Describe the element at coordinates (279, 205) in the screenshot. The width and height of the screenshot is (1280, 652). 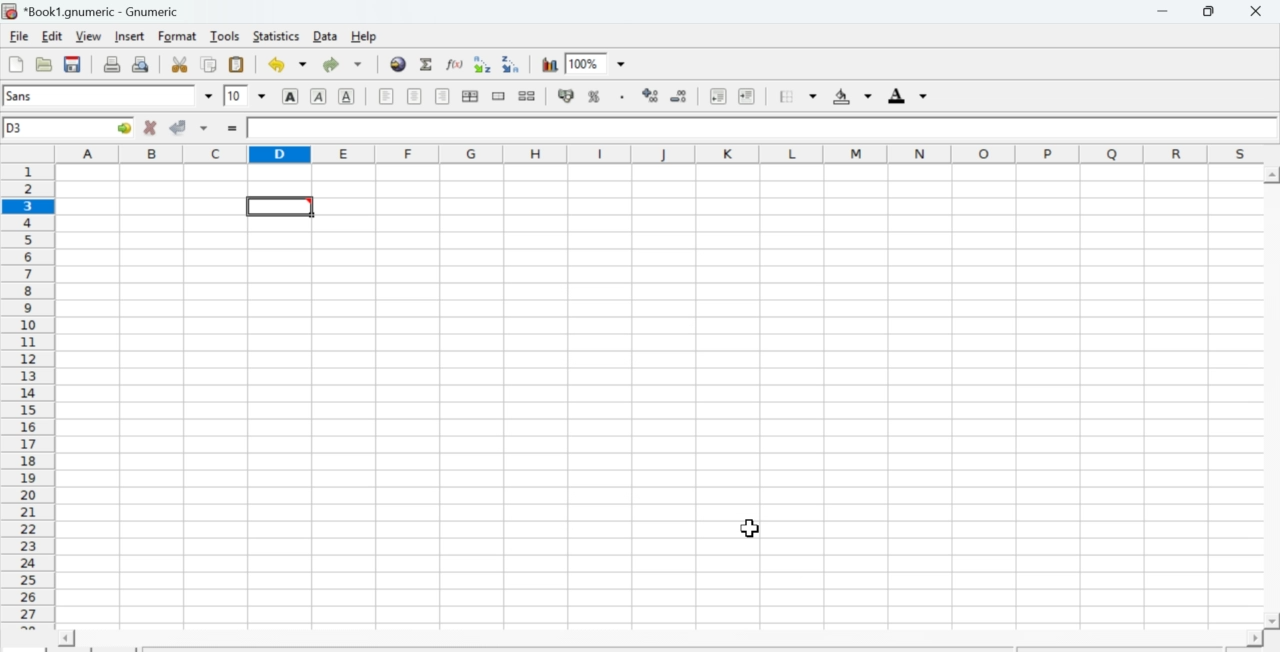
I see `selected cell` at that location.